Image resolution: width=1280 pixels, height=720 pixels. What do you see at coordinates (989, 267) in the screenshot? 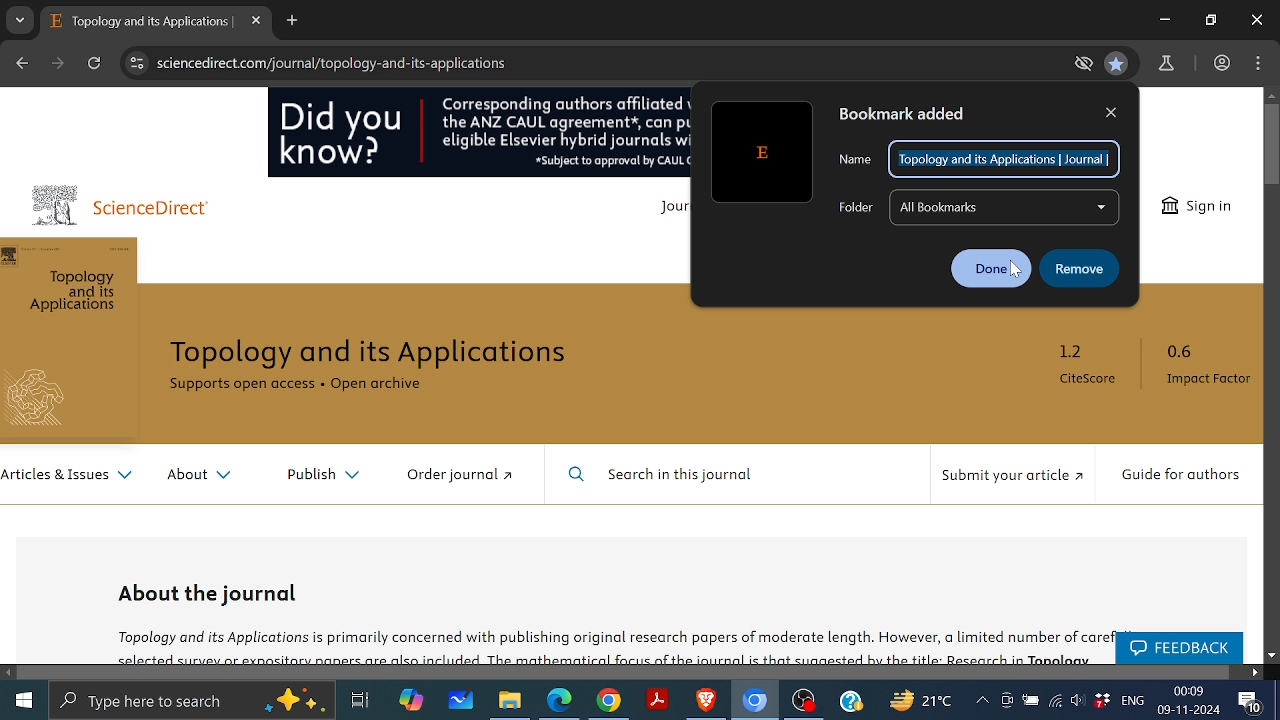
I see `Done` at bounding box center [989, 267].